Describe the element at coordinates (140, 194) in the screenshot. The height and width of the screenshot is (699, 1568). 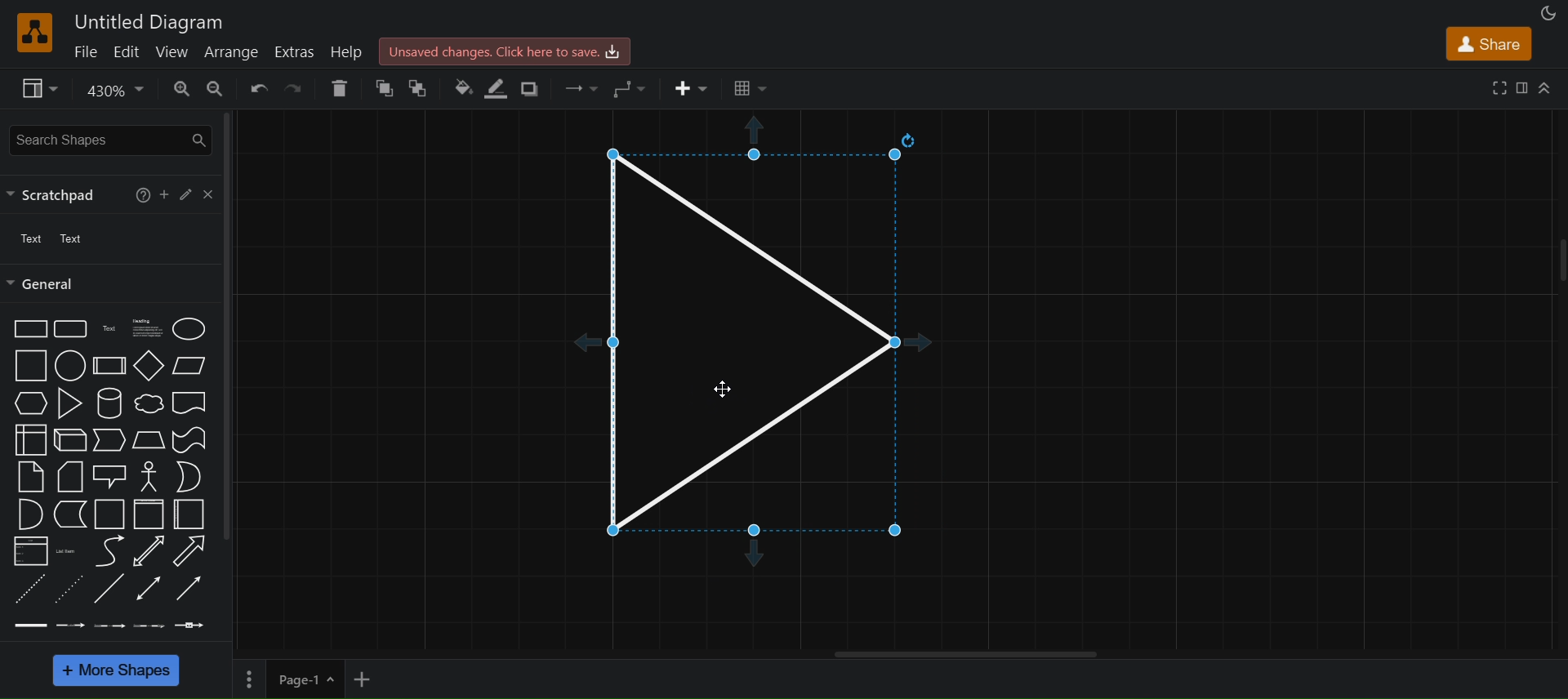
I see `help` at that location.